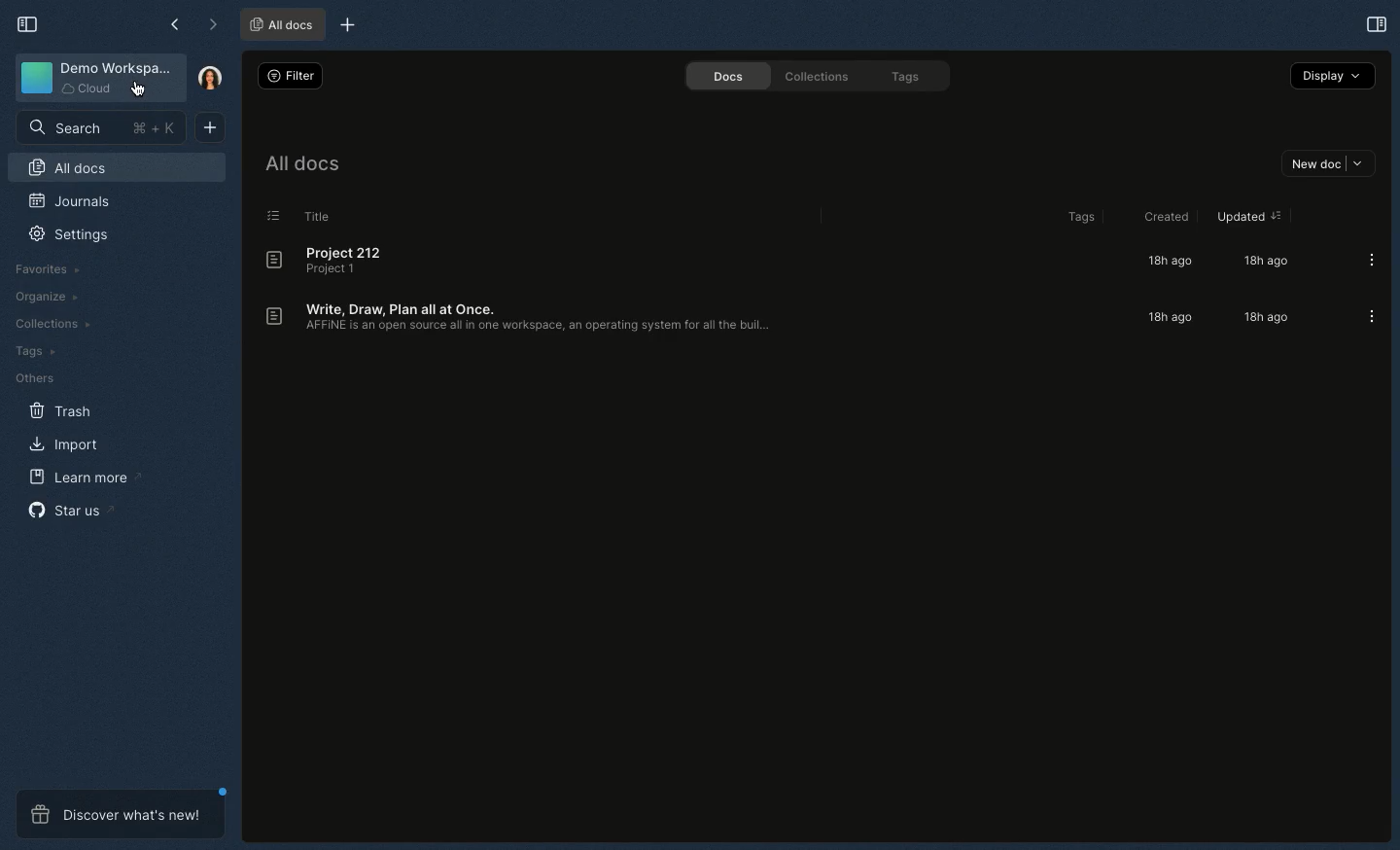  What do you see at coordinates (813, 76) in the screenshot?
I see `Collections` at bounding box center [813, 76].